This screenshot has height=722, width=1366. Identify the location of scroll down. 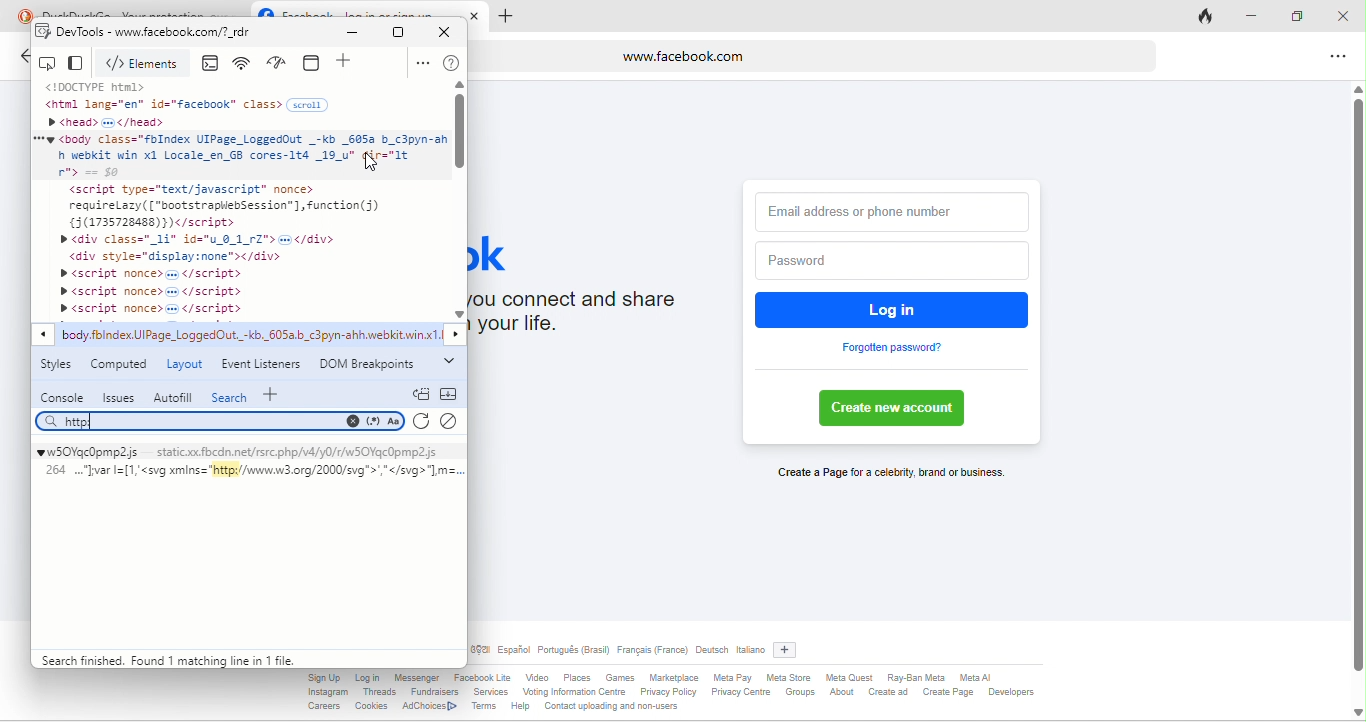
(459, 314).